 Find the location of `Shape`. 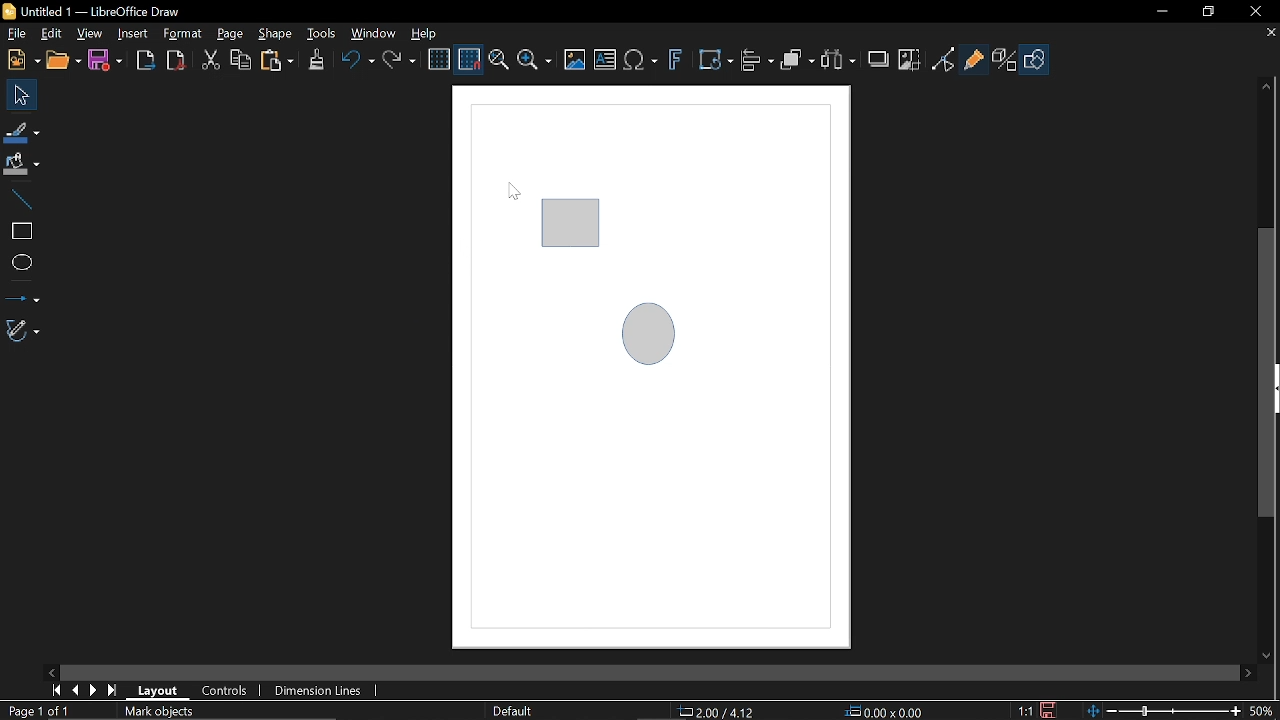

Shape is located at coordinates (275, 36).